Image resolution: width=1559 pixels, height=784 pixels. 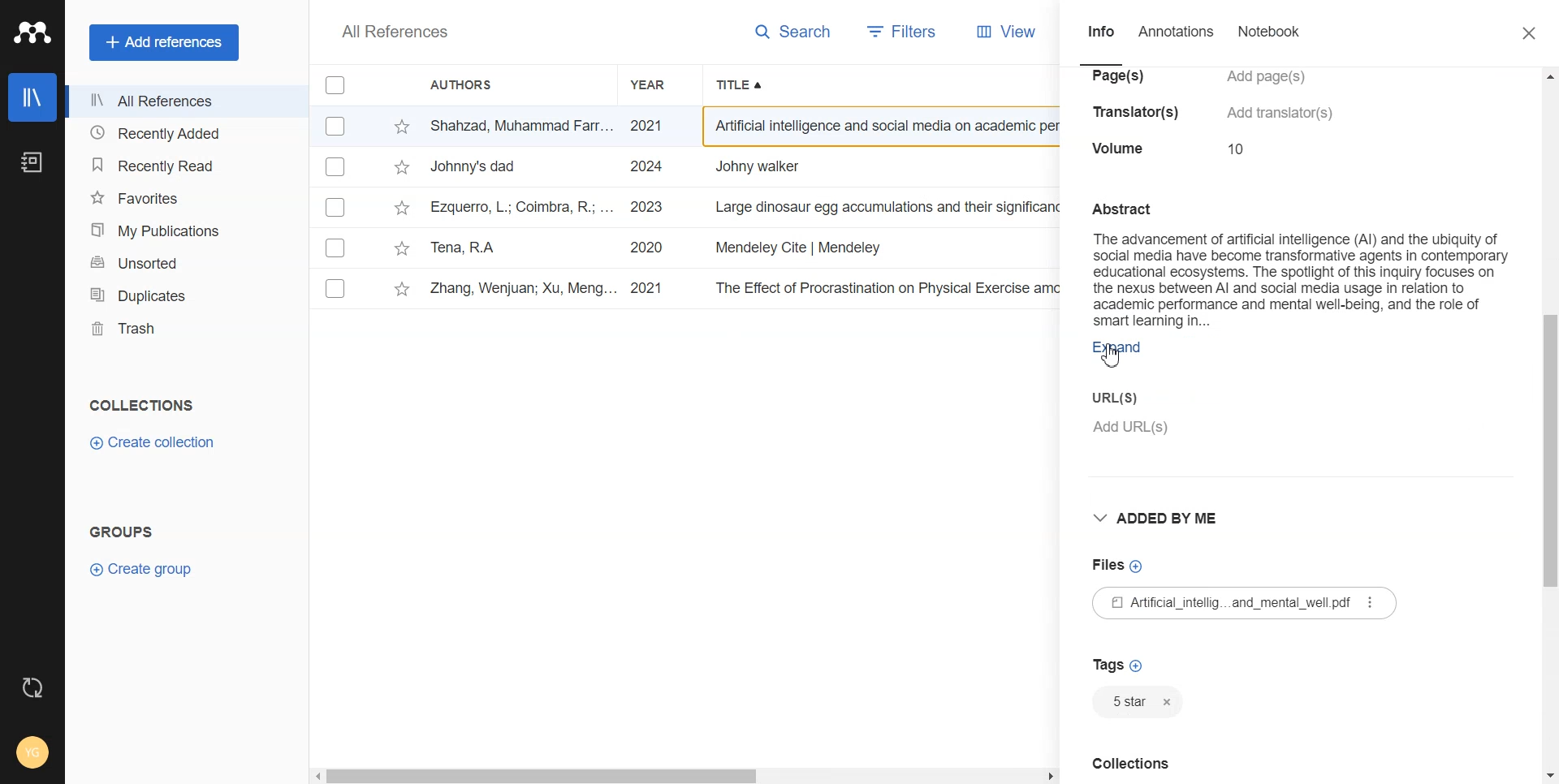 I want to click on All References, so click(x=173, y=101).